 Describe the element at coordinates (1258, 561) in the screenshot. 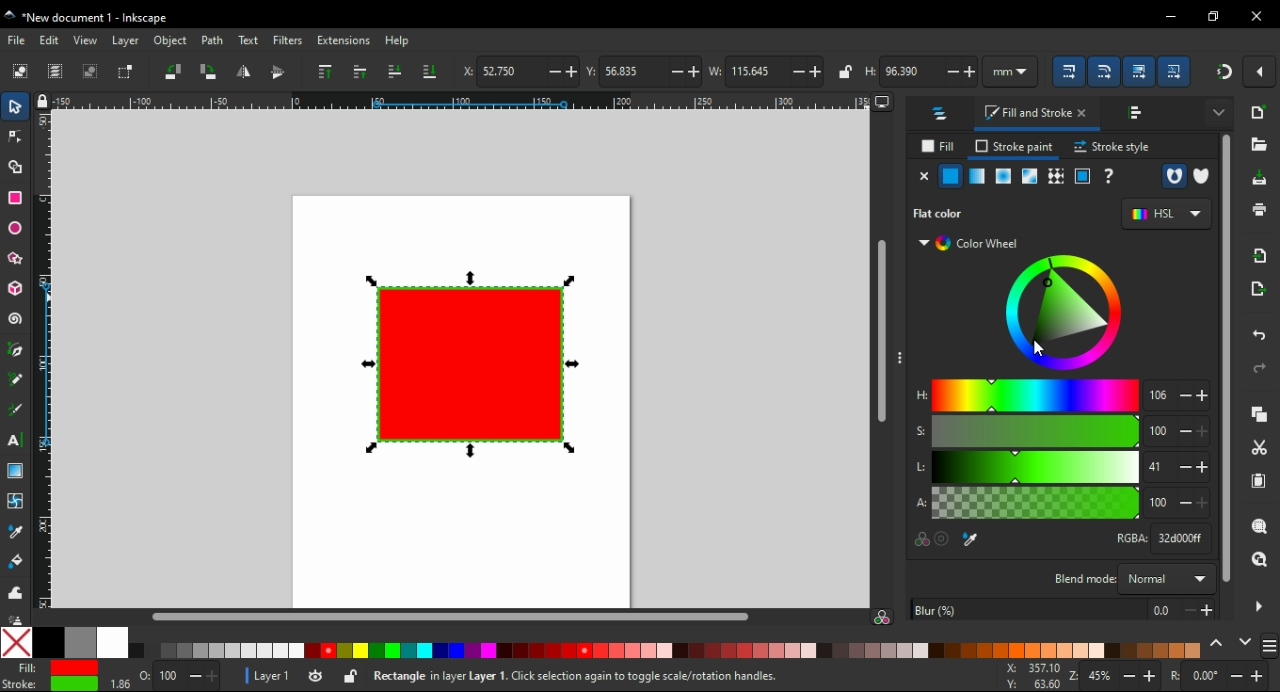

I see `zoom drawing` at that location.